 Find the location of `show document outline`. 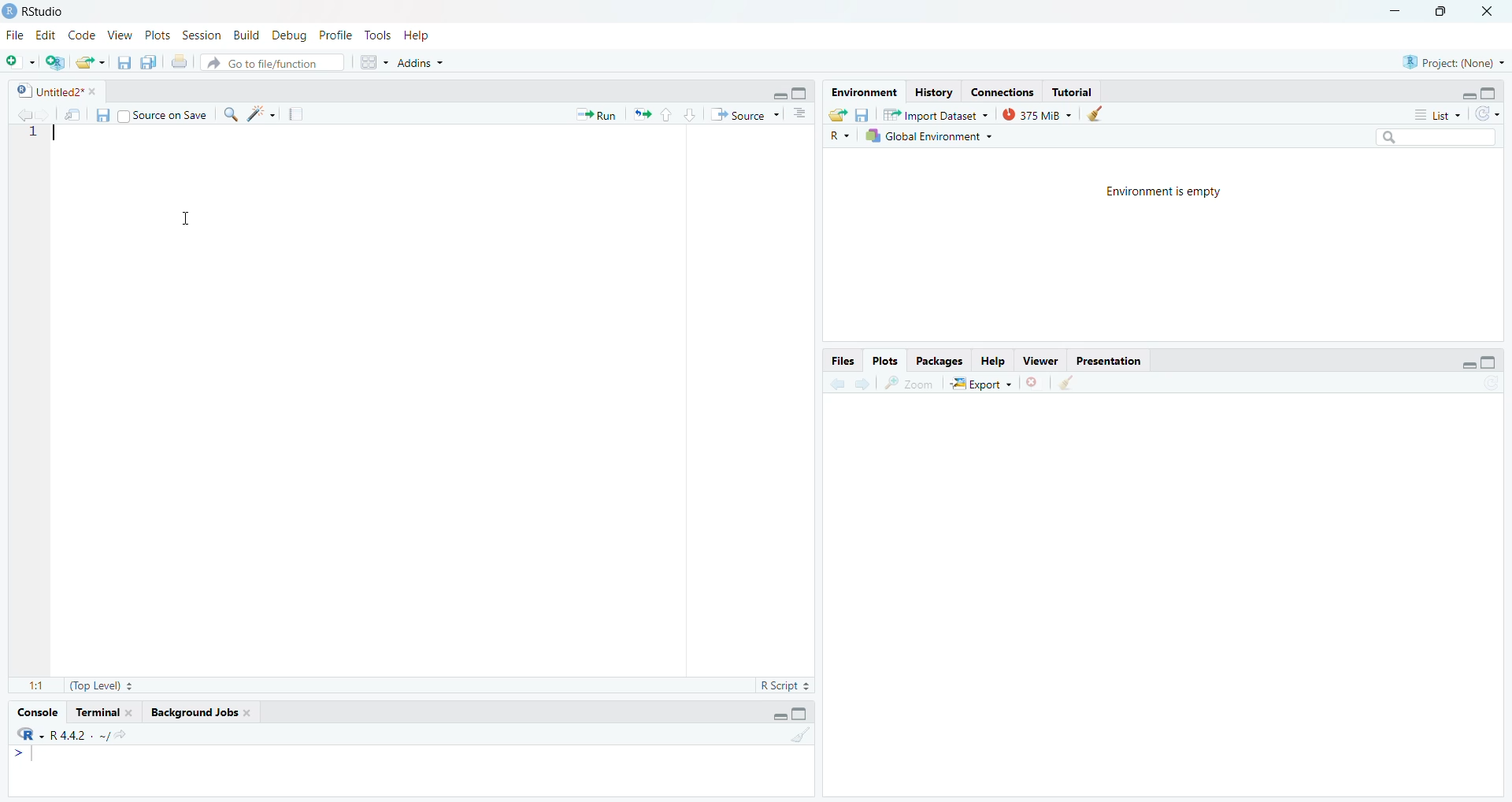

show document outline is located at coordinates (805, 114).